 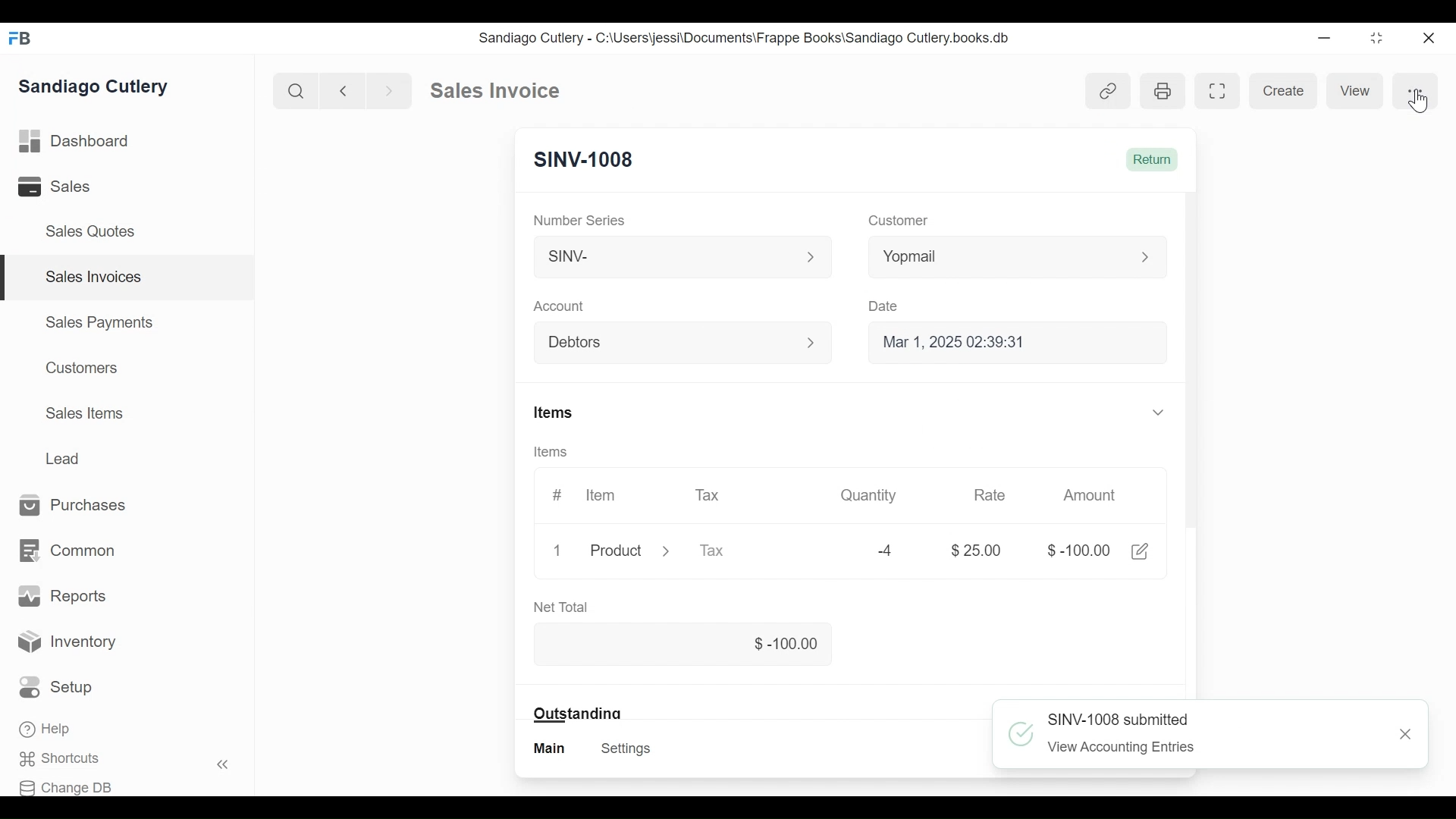 I want to click on Lead, so click(x=64, y=457).